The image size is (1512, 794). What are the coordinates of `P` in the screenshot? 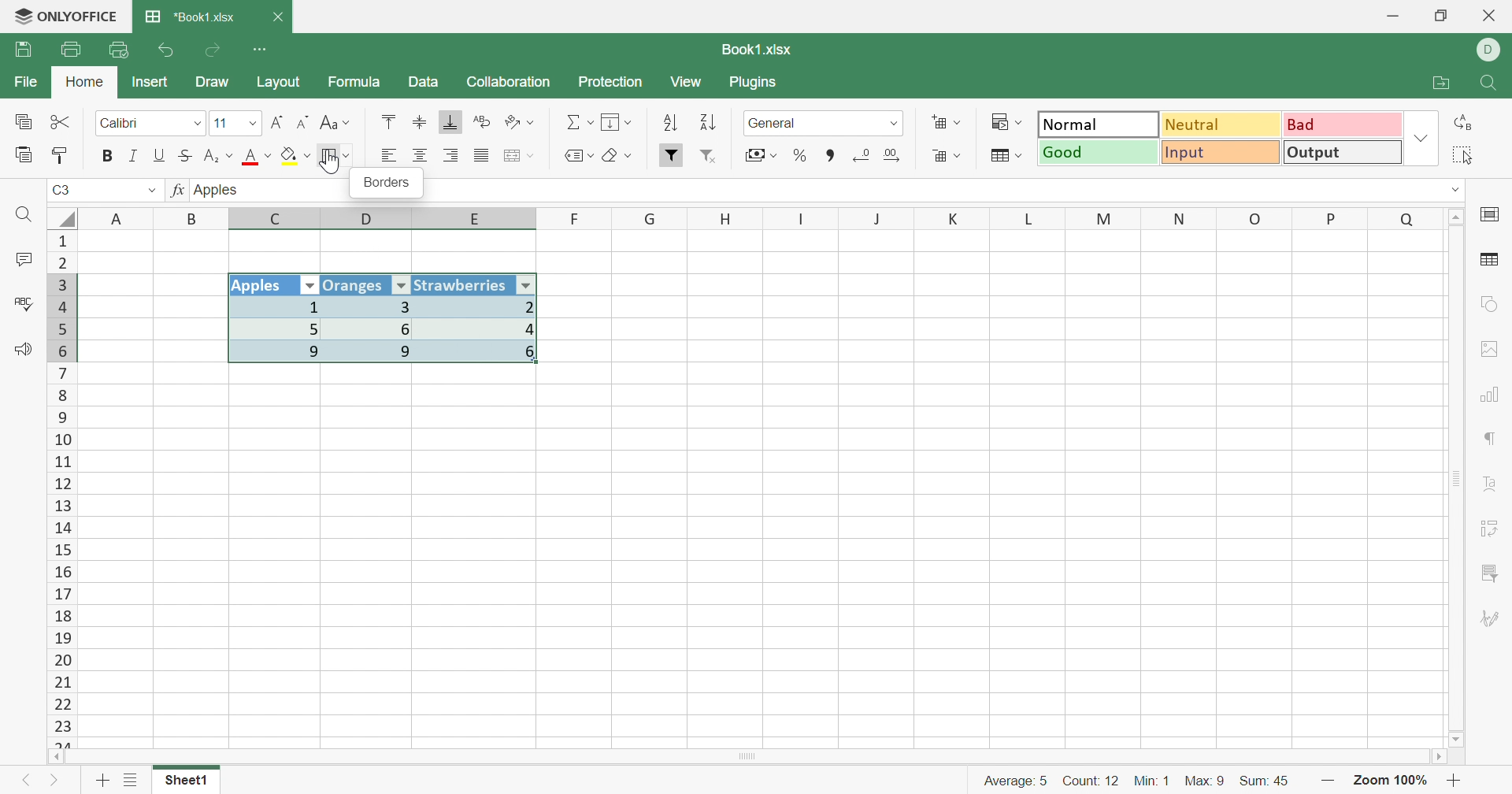 It's located at (1332, 217).